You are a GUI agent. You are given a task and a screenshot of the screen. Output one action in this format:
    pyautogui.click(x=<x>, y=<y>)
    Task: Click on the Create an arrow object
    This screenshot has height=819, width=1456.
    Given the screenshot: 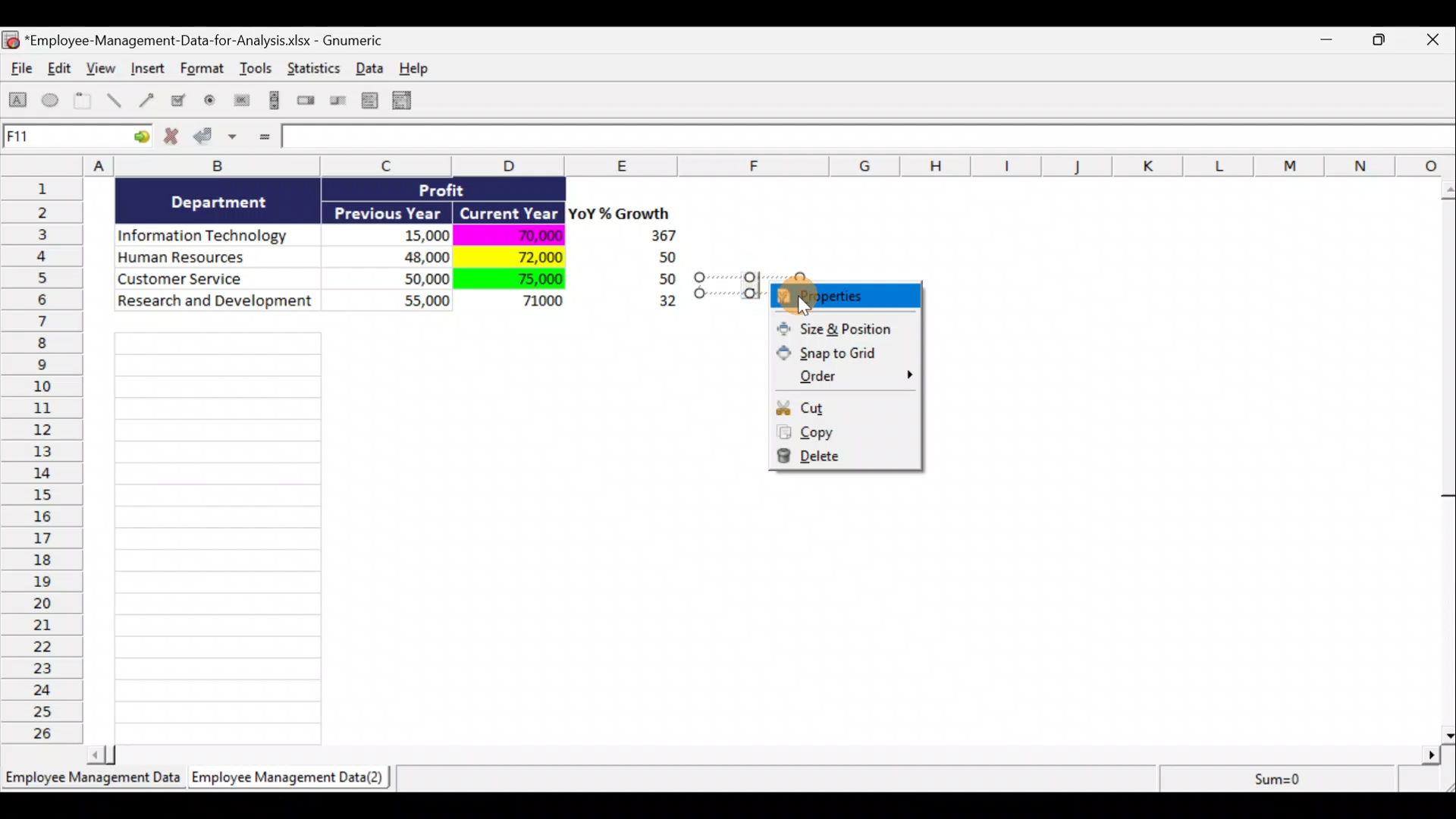 What is the action you would take?
    pyautogui.click(x=146, y=99)
    